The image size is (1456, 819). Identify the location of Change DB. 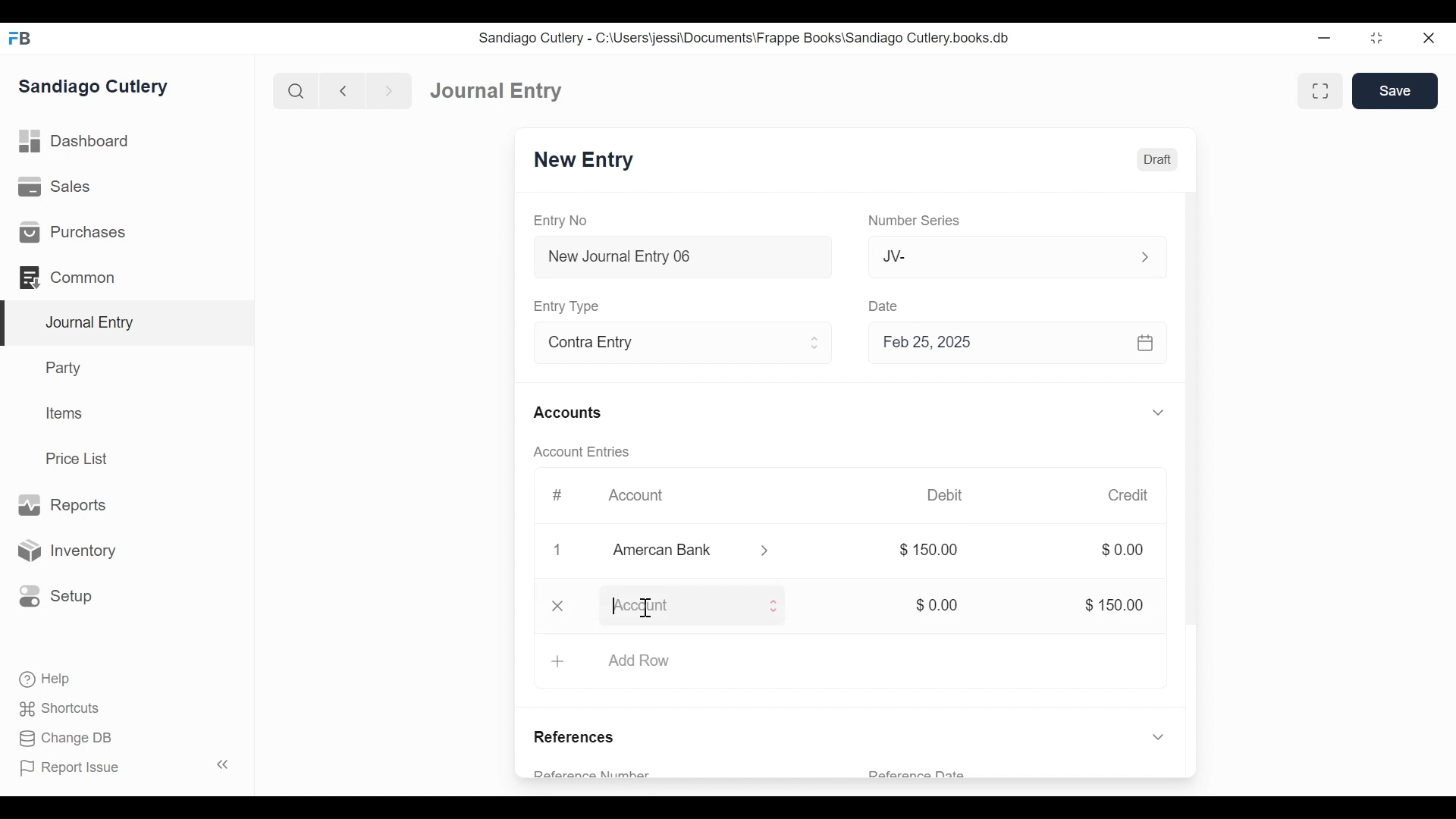
(68, 740).